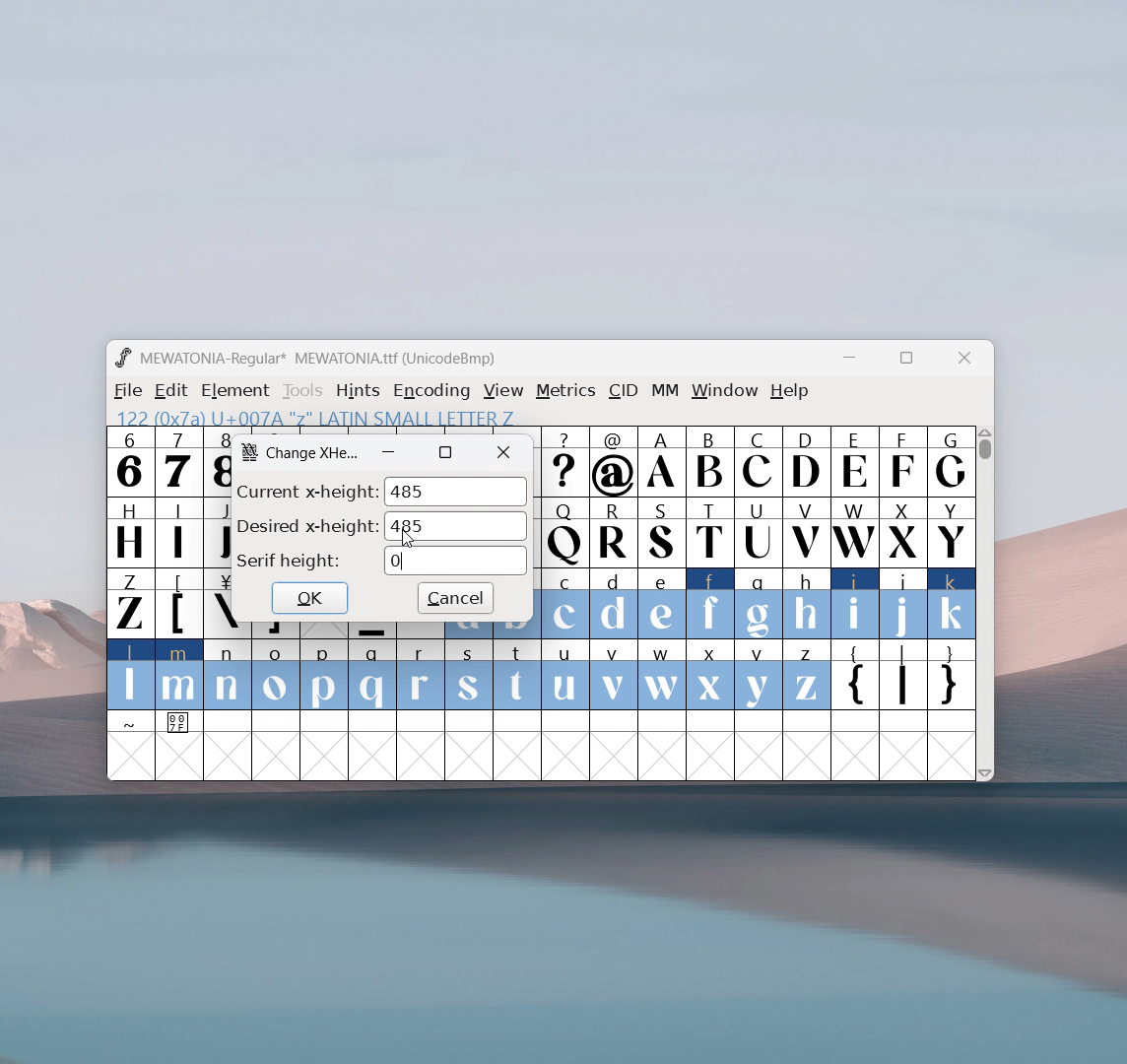  Describe the element at coordinates (564, 675) in the screenshot. I see `u` at that location.